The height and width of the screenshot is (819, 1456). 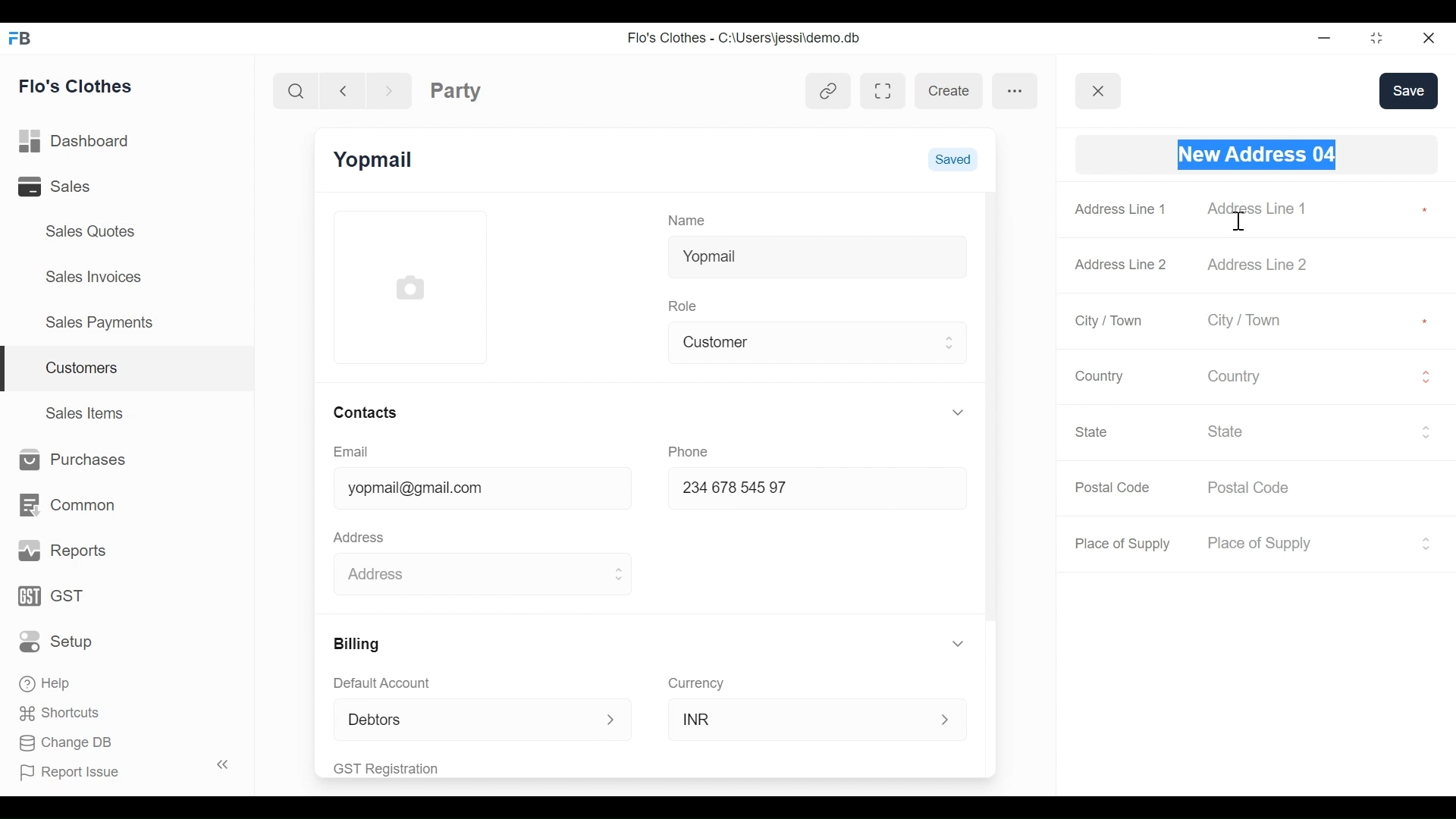 I want to click on Contacts, so click(x=364, y=412).